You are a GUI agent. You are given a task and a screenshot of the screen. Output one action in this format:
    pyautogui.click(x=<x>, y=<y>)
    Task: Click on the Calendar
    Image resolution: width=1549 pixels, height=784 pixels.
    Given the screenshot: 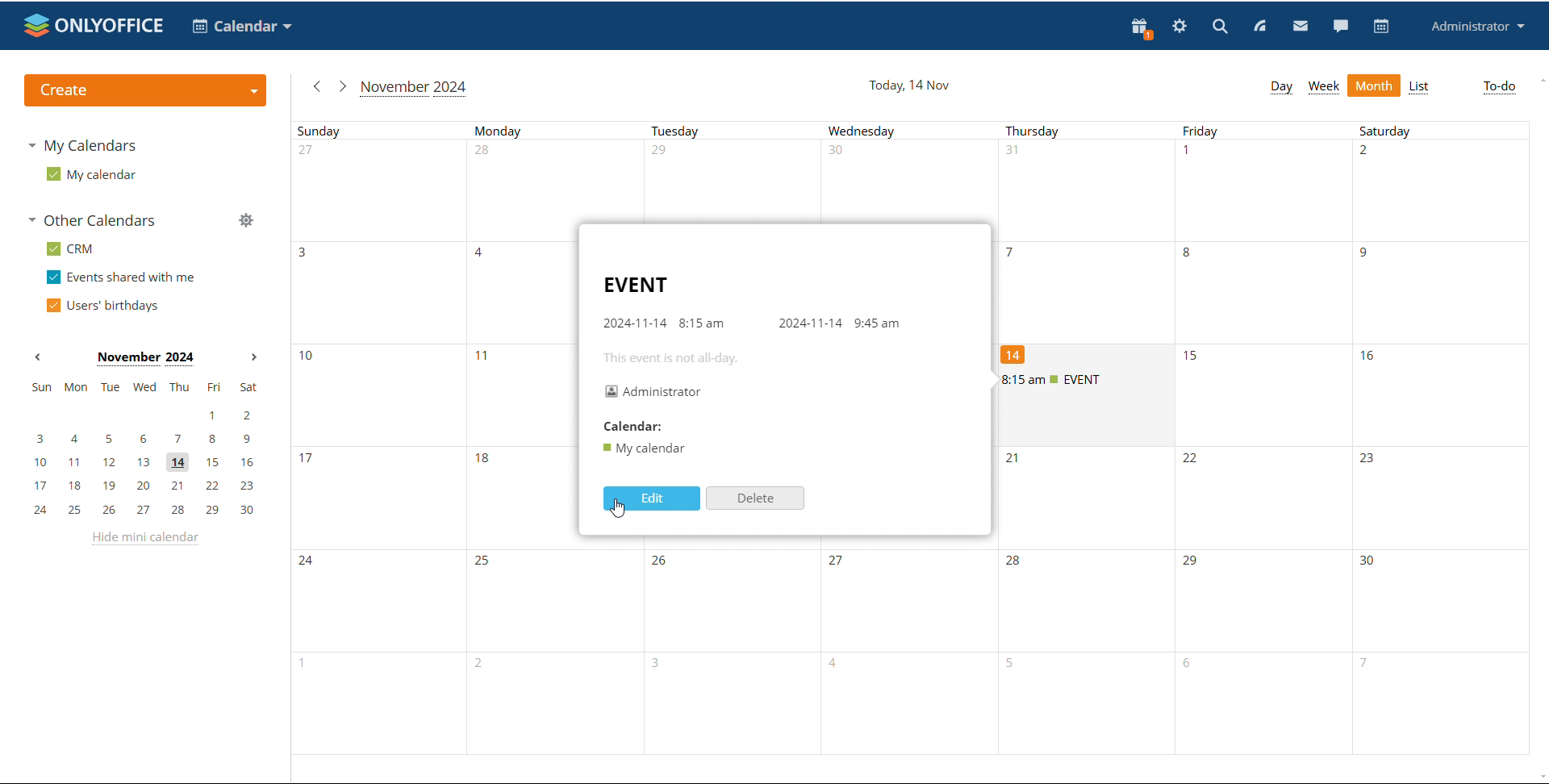 What is the action you would take?
    pyautogui.click(x=633, y=426)
    